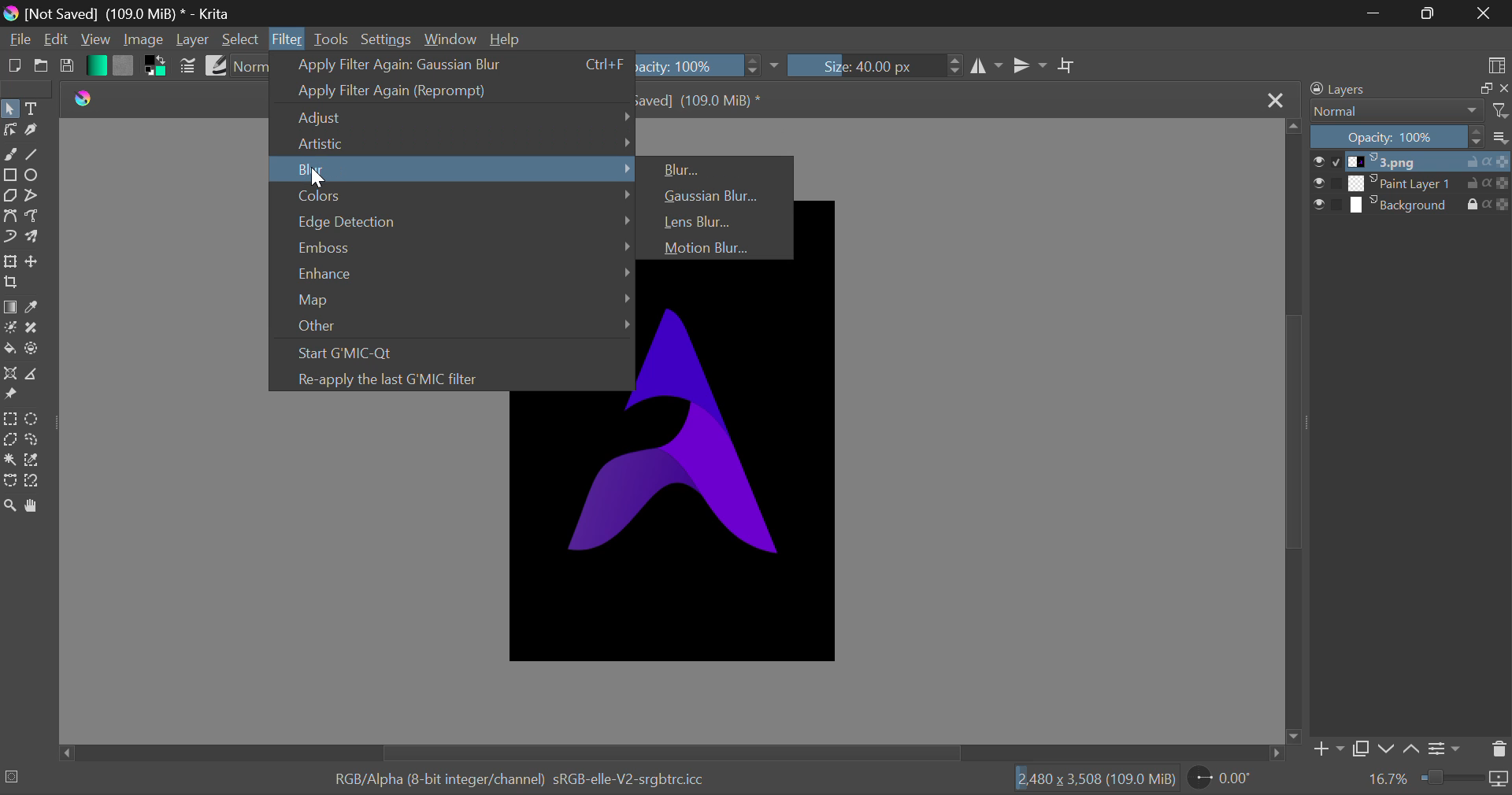 The image size is (1512, 795). I want to click on Layer, so click(193, 39).